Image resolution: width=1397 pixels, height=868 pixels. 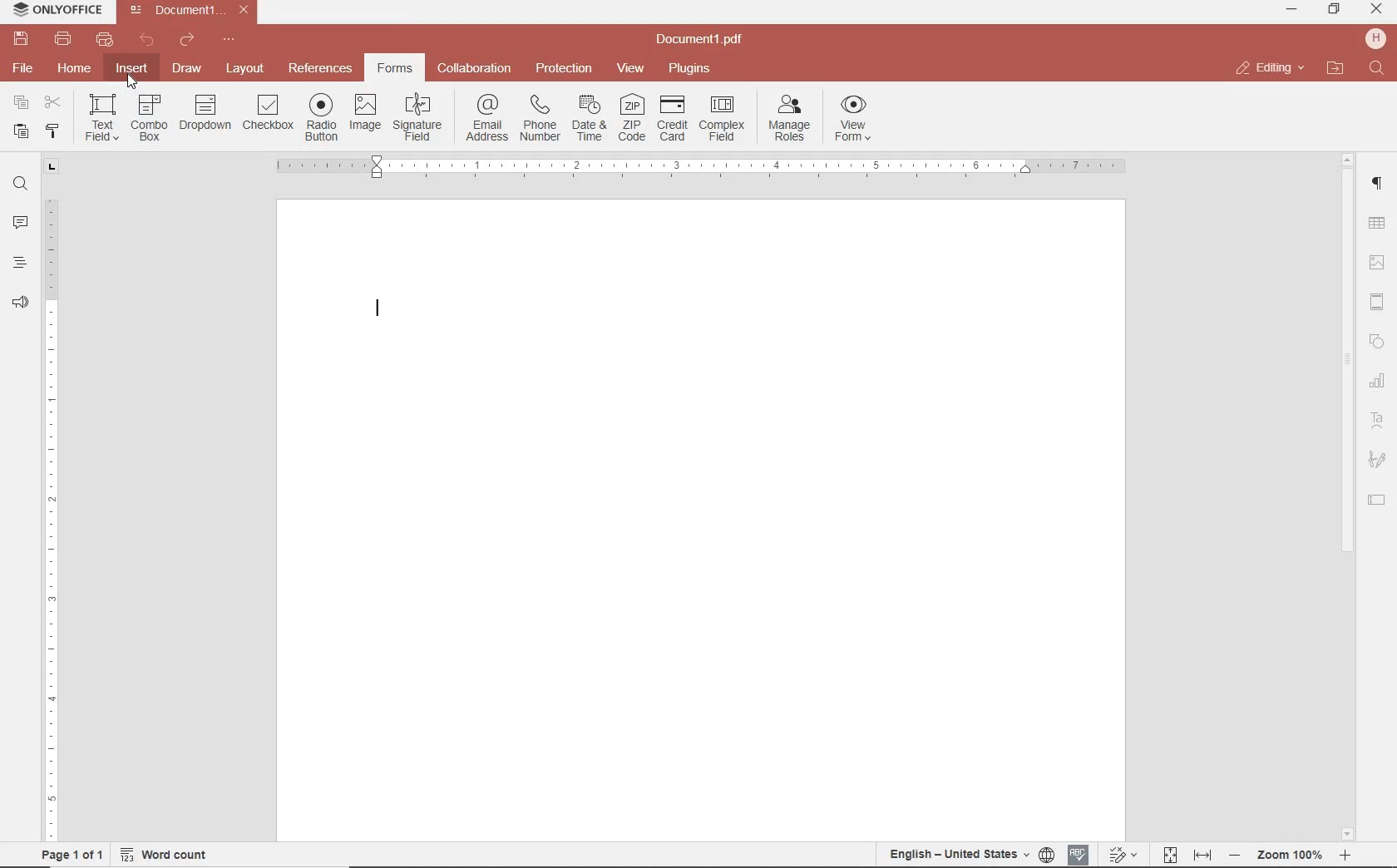 What do you see at coordinates (723, 120) in the screenshot?
I see `insert complex field` at bounding box center [723, 120].